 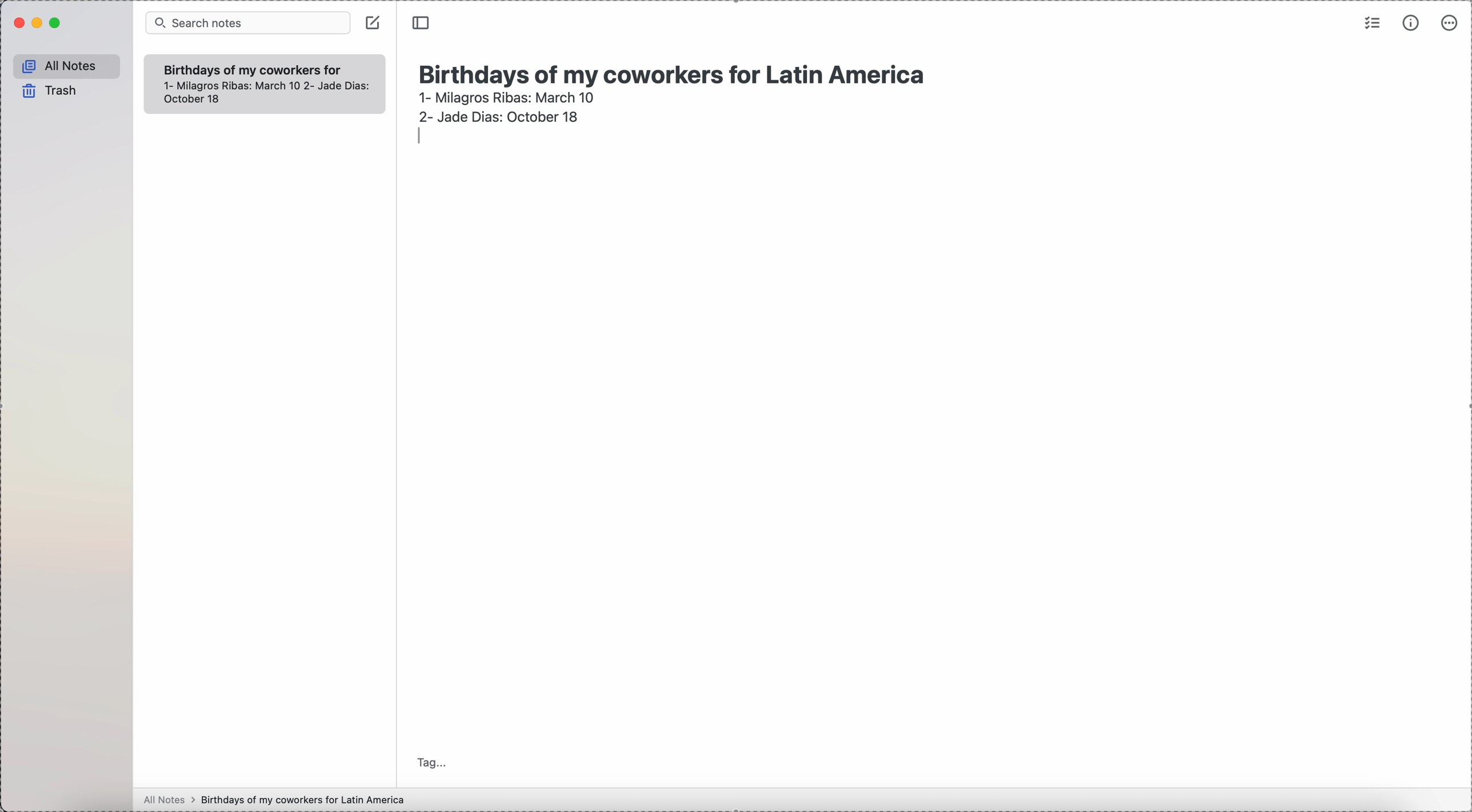 What do you see at coordinates (506, 97) in the screenshot?
I see `1- Milagros` at bounding box center [506, 97].